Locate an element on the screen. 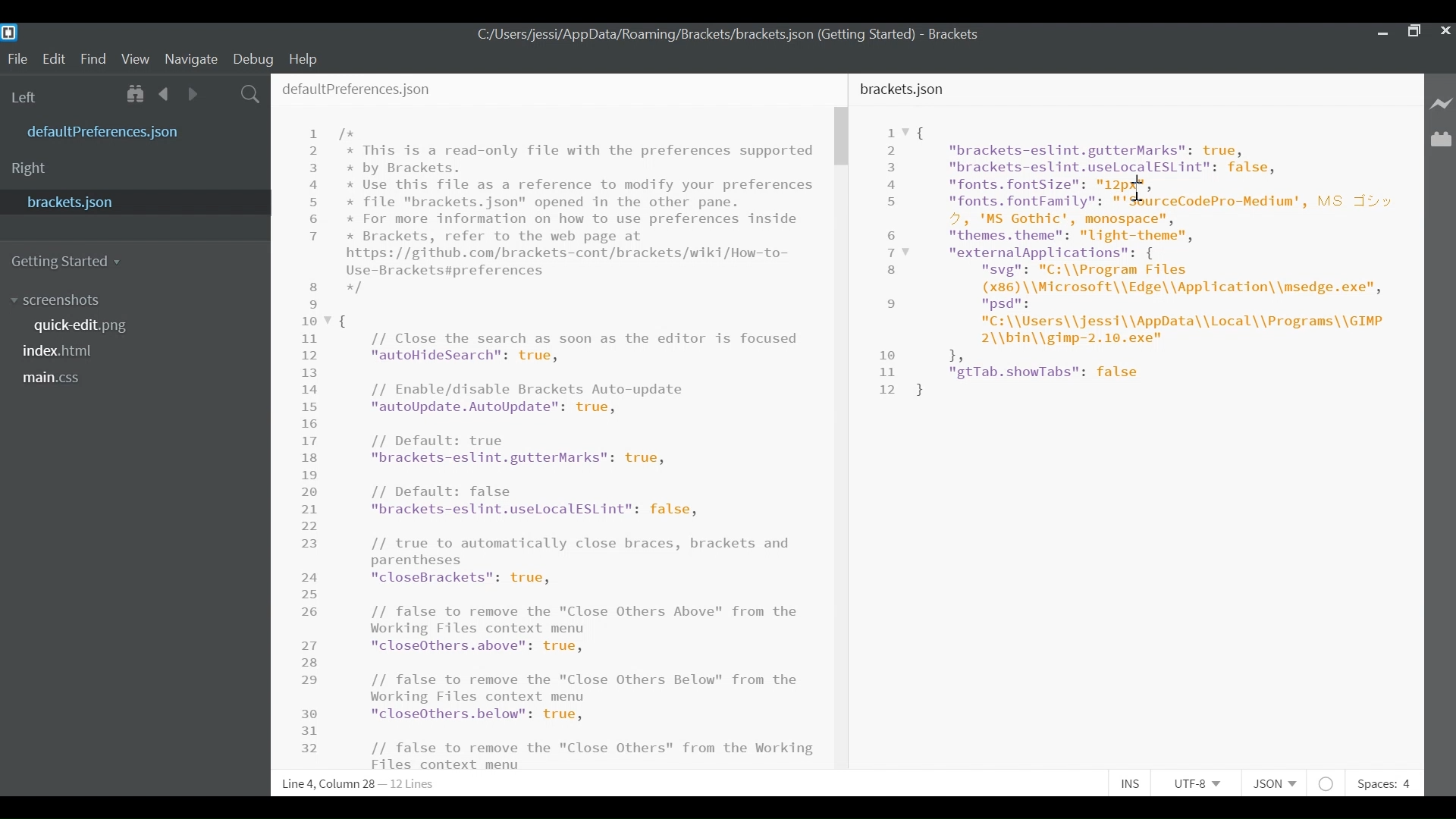  File type is located at coordinates (1272, 784).